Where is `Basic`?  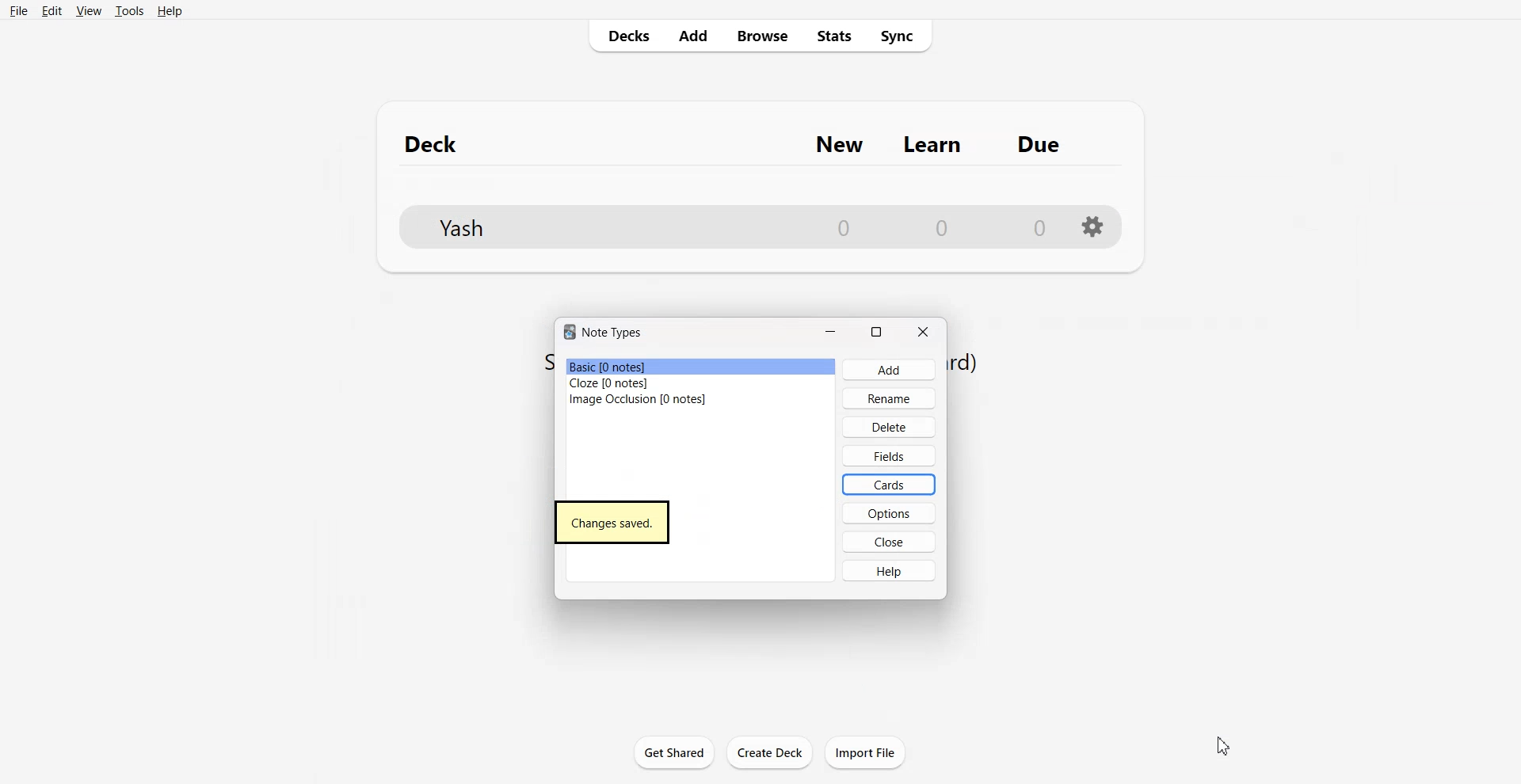
Basic is located at coordinates (701, 367).